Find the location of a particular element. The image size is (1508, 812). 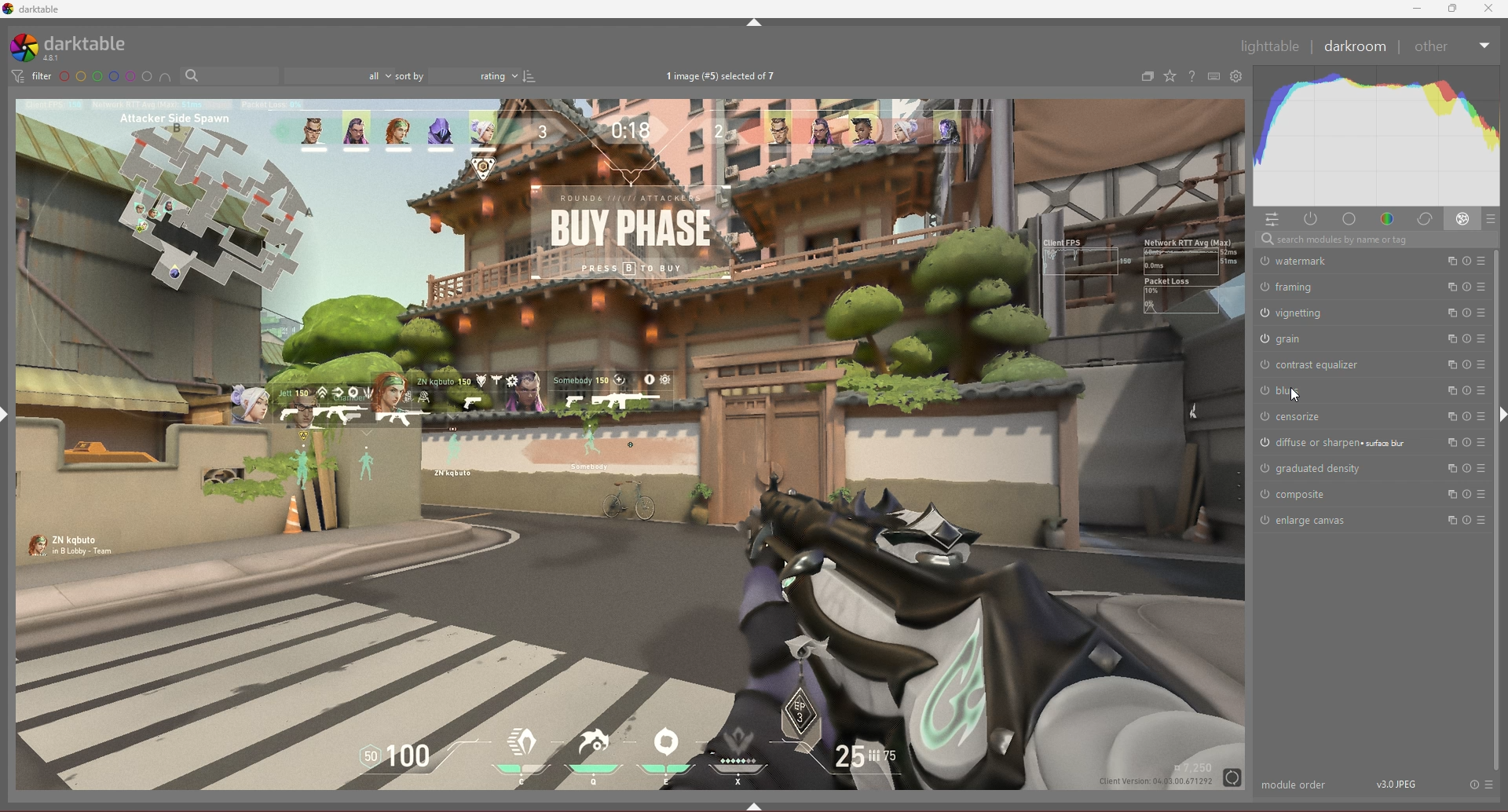

darktable is located at coordinates (78, 47).